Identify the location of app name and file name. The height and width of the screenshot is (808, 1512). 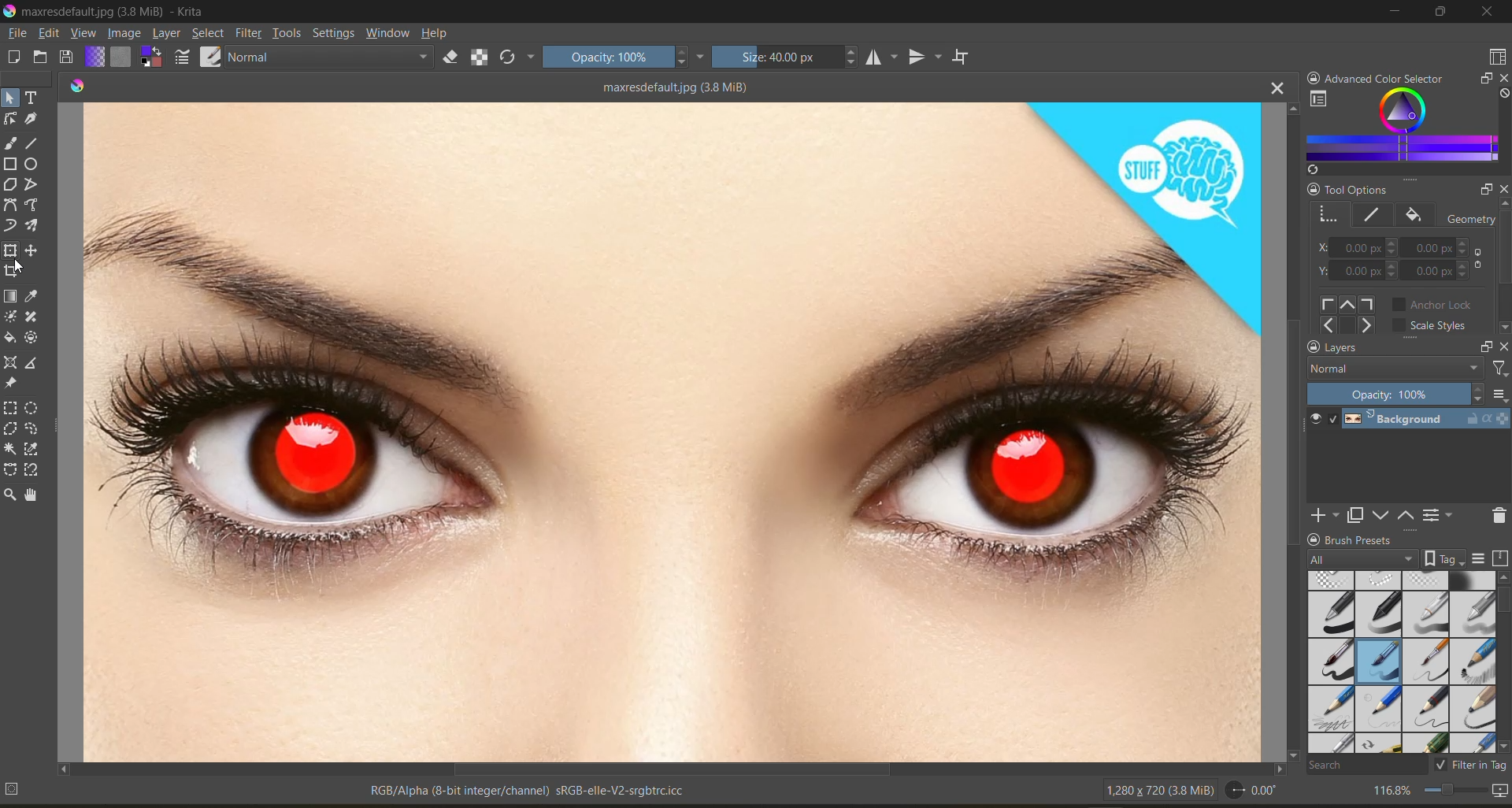
(112, 10).